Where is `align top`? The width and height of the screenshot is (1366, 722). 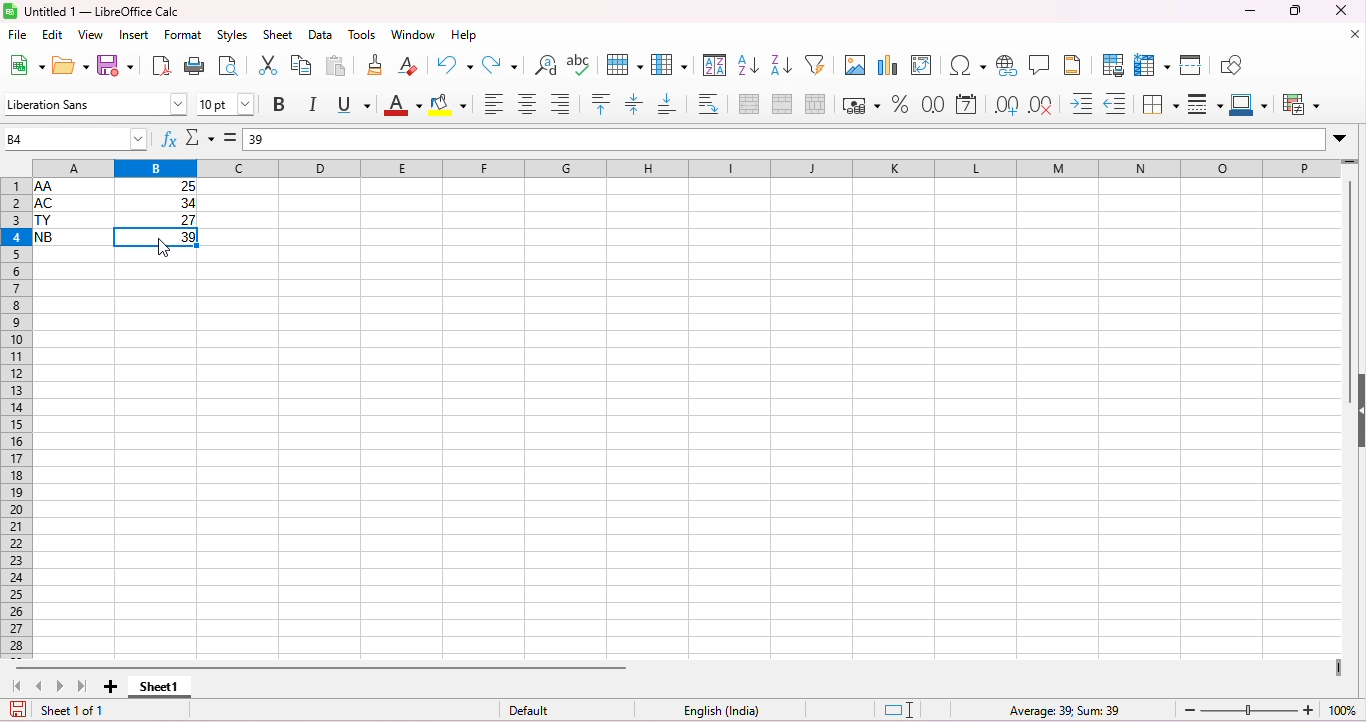
align top is located at coordinates (603, 103).